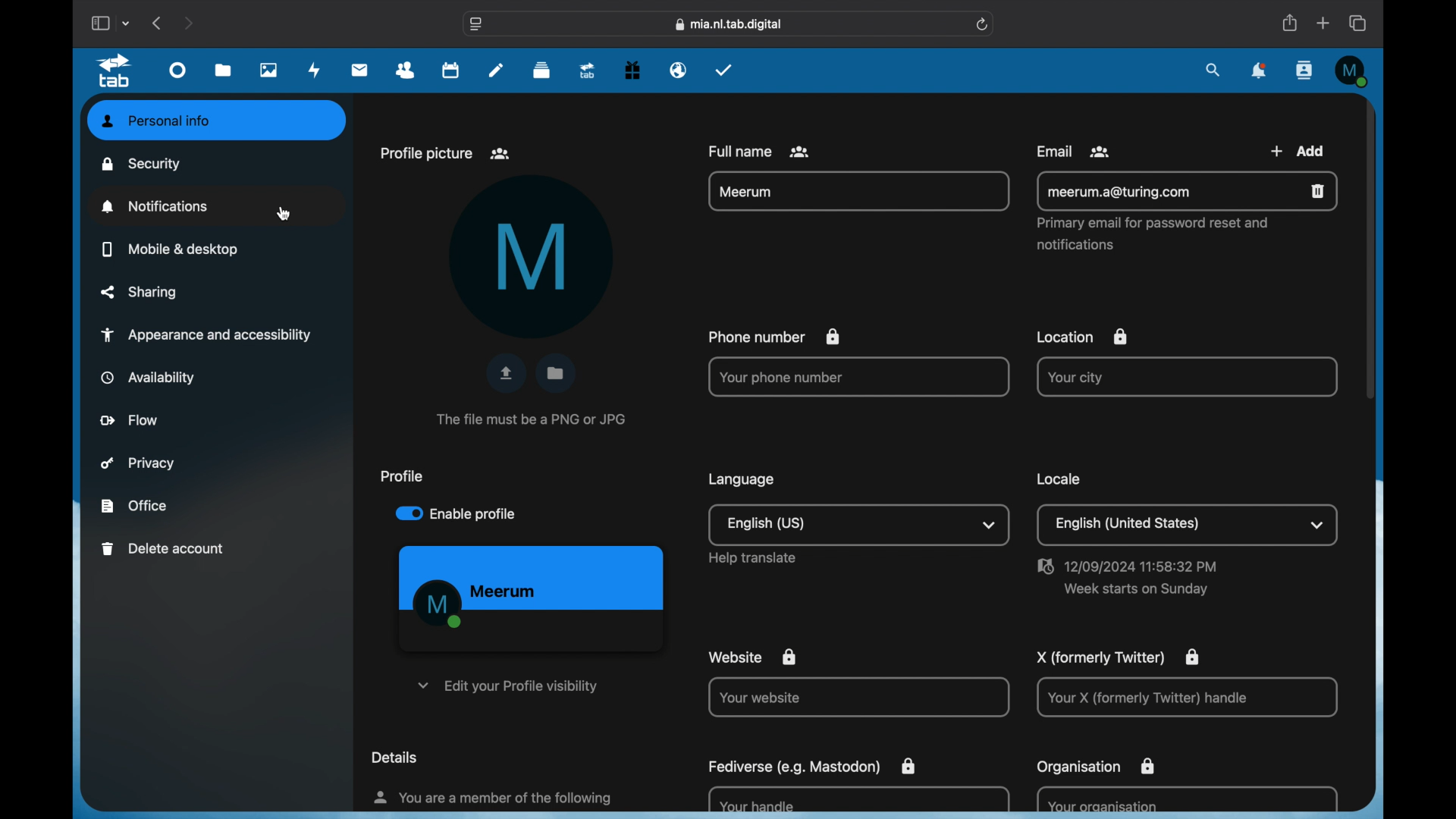  I want to click on website settings, so click(476, 25).